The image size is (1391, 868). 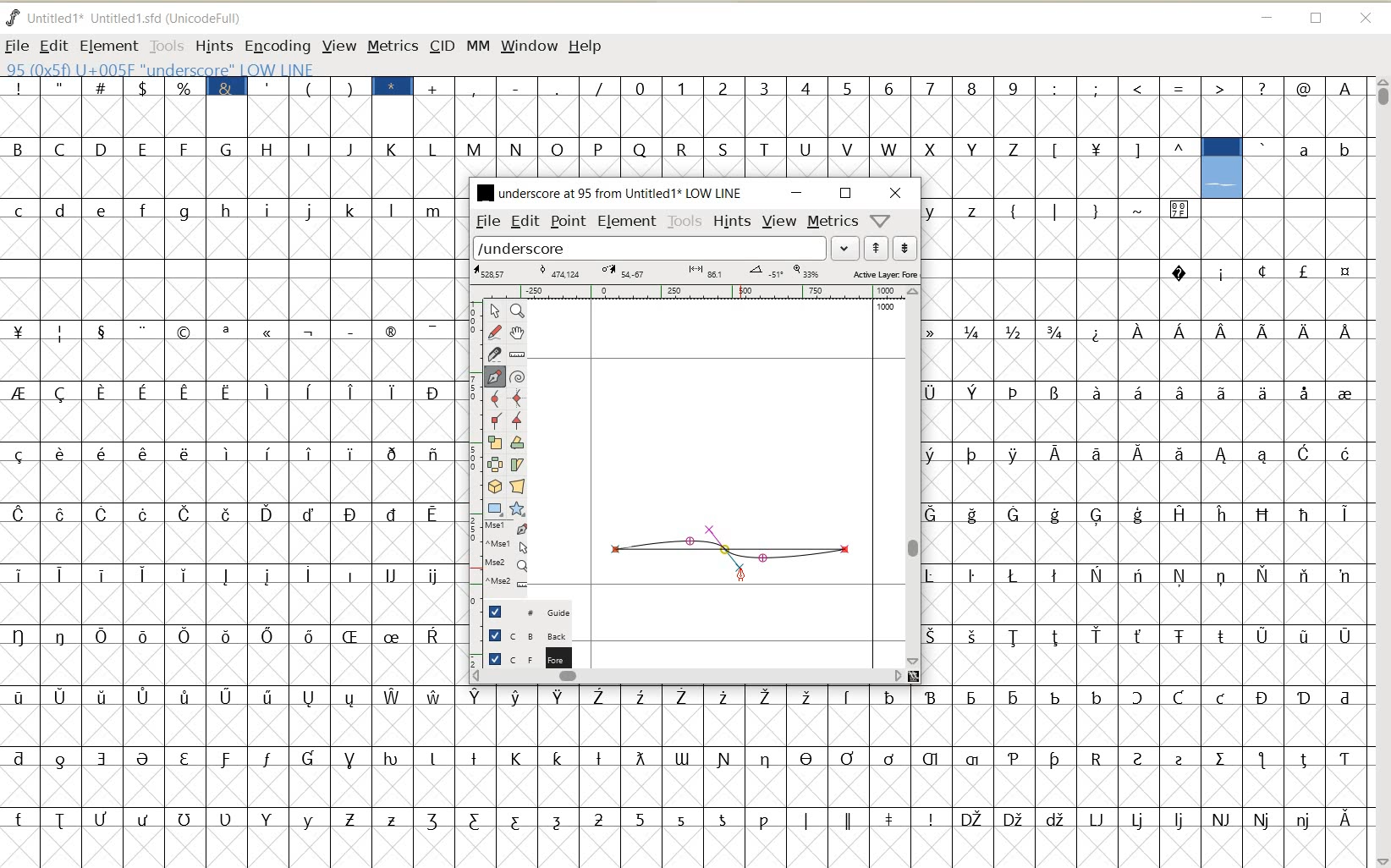 I want to click on perform a perspective transformation on the selection, so click(x=517, y=486).